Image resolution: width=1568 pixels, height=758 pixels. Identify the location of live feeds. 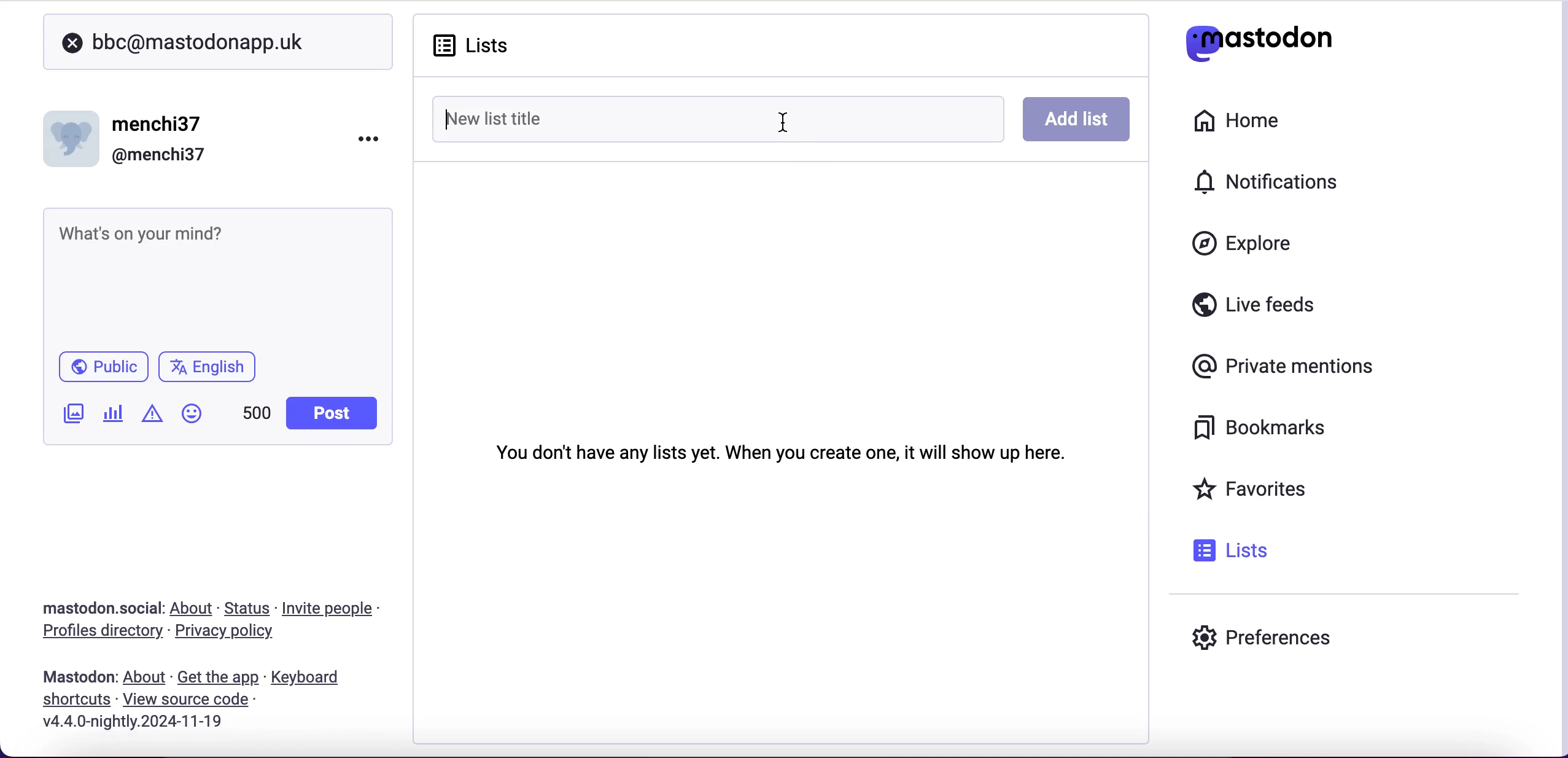
(1254, 309).